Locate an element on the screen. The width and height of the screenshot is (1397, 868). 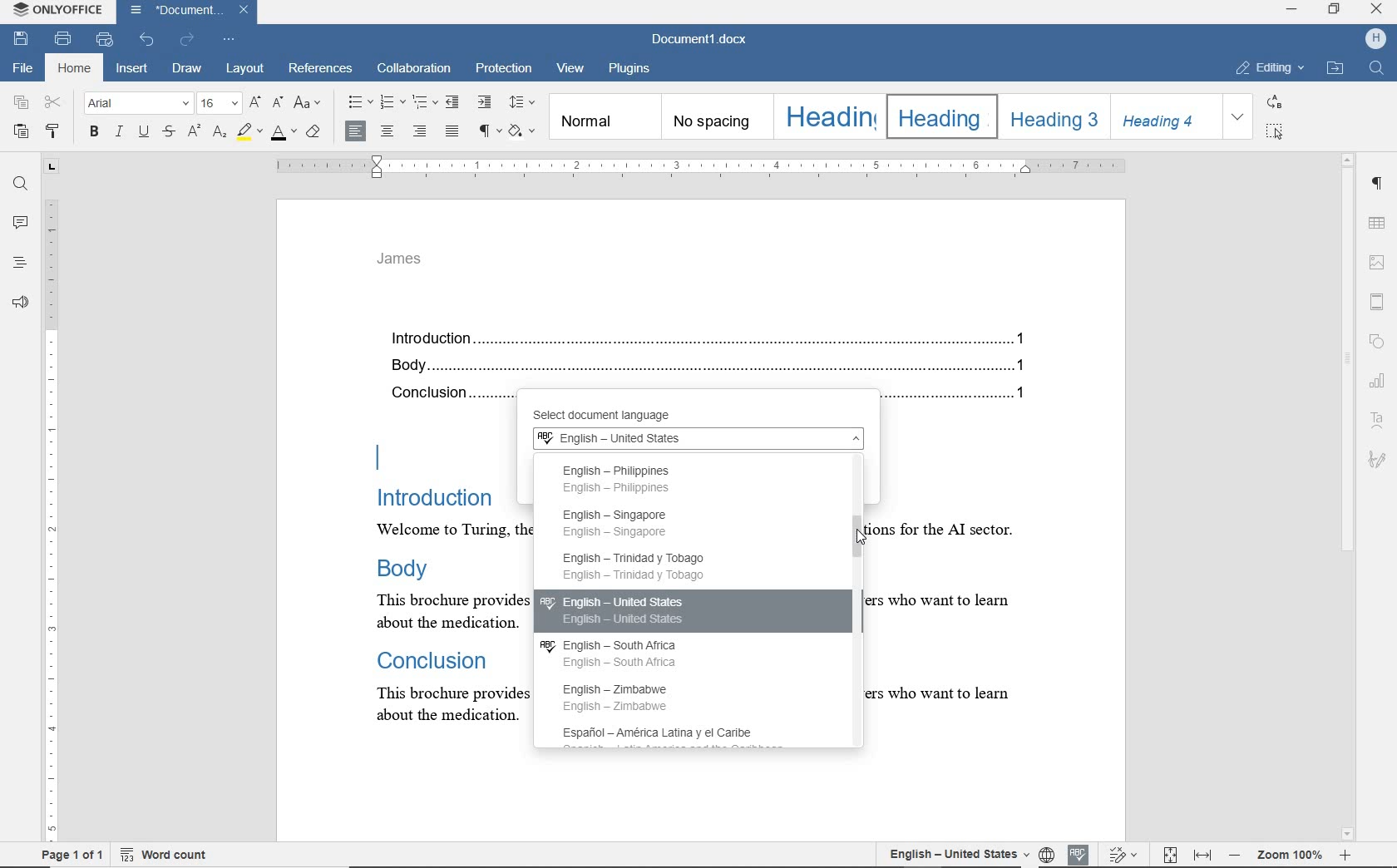
home is located at coordinates (73, 69).